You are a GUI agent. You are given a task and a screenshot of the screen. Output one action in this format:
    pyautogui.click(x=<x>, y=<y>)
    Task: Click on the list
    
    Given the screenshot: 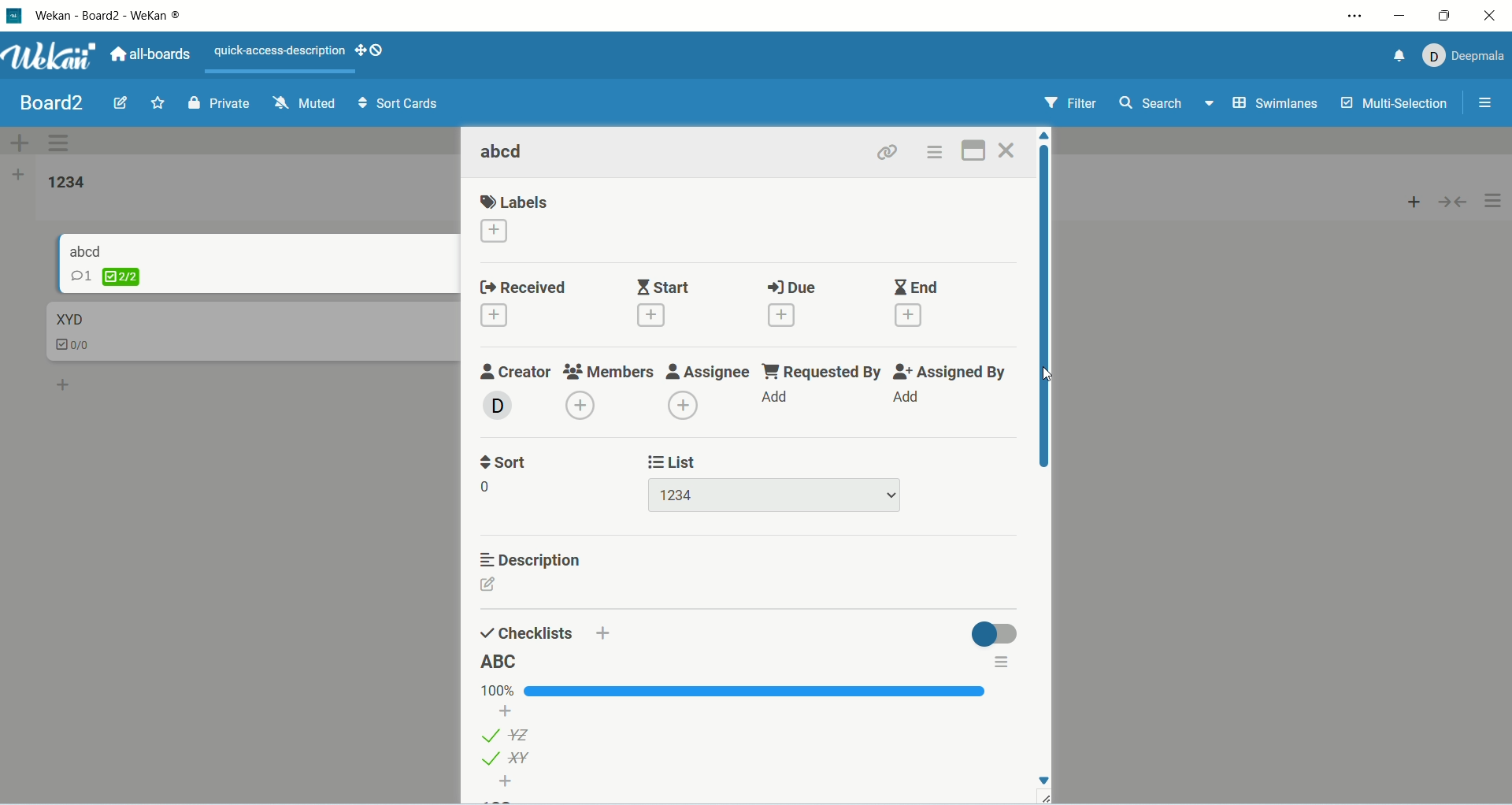 What is the action you would take?
    pyautogui.click(x=776, y=497)
    